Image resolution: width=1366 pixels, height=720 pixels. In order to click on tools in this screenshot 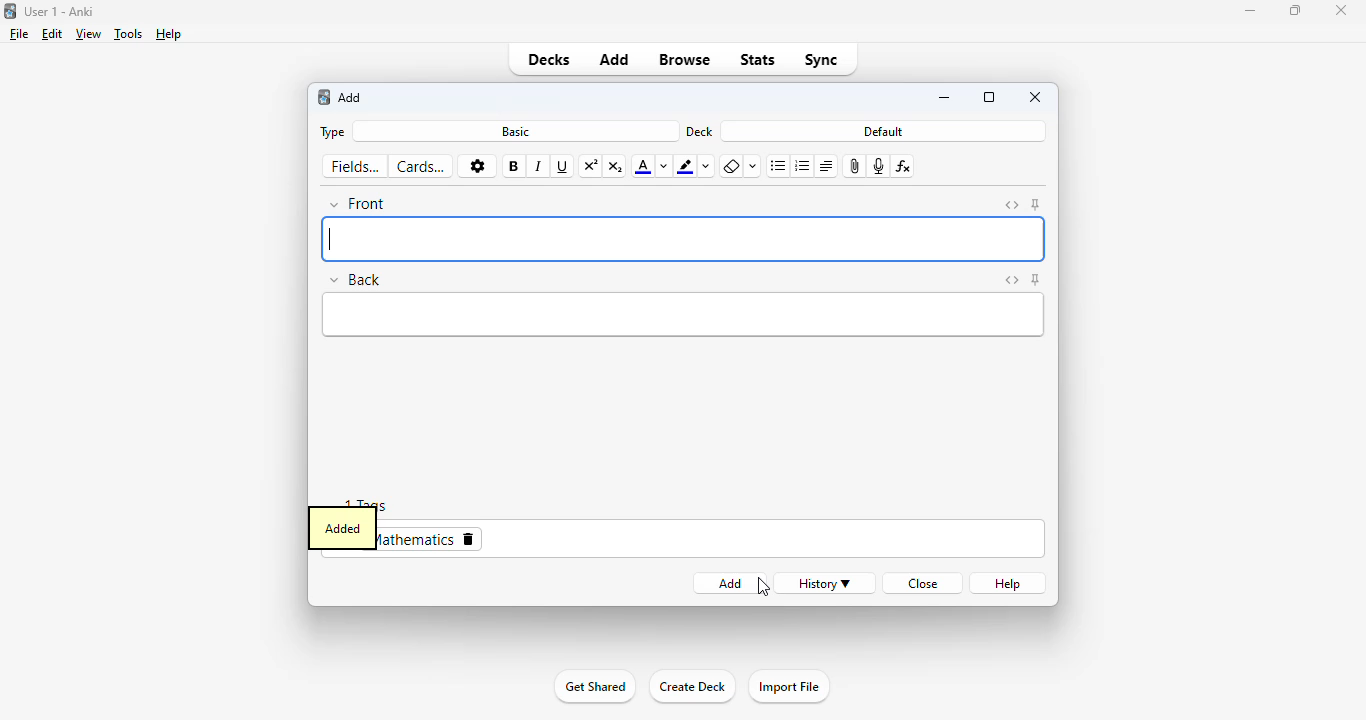, I will do `click(129, 34)`.